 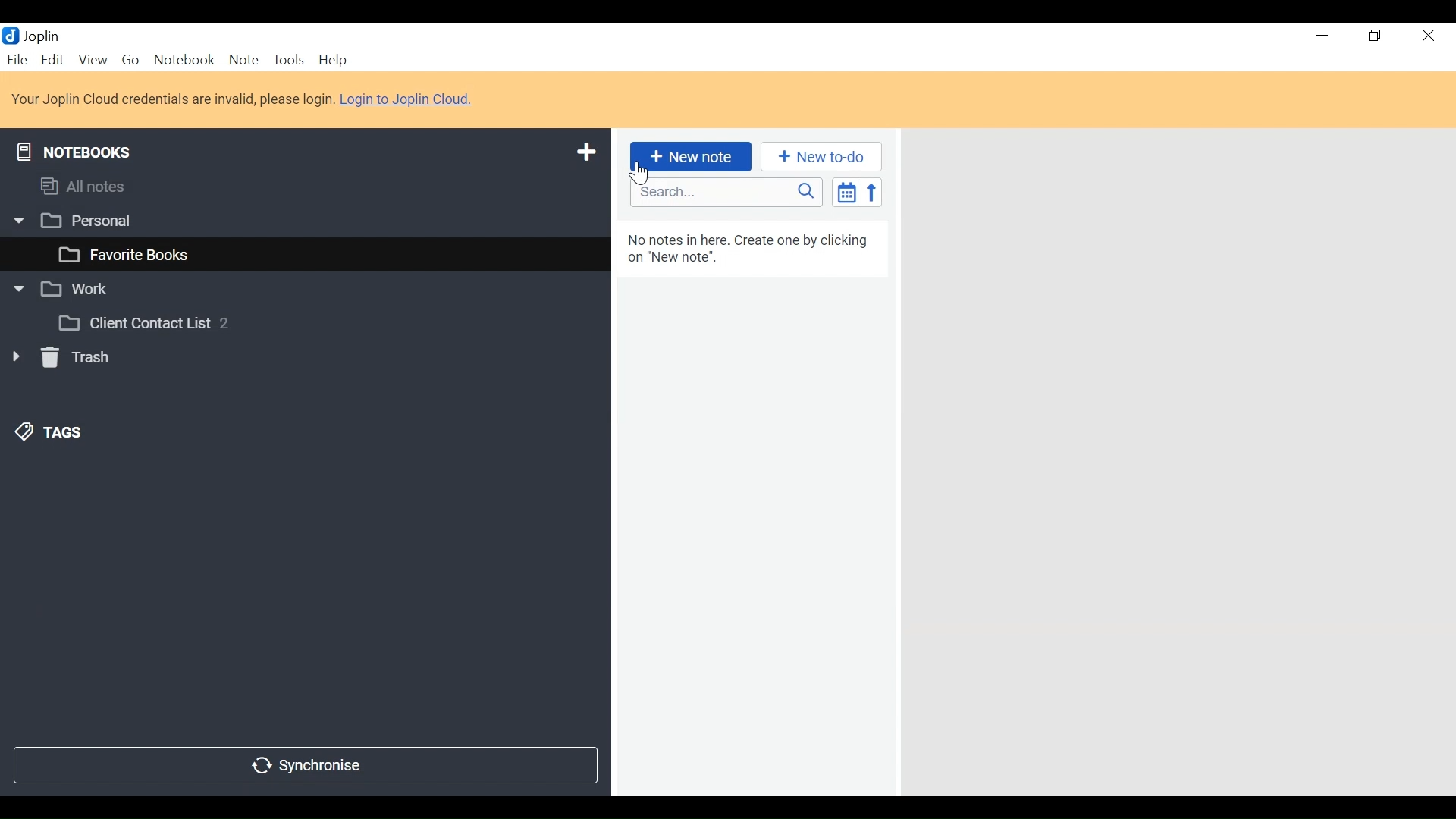 I want to click on , so click(x=54, y=60).